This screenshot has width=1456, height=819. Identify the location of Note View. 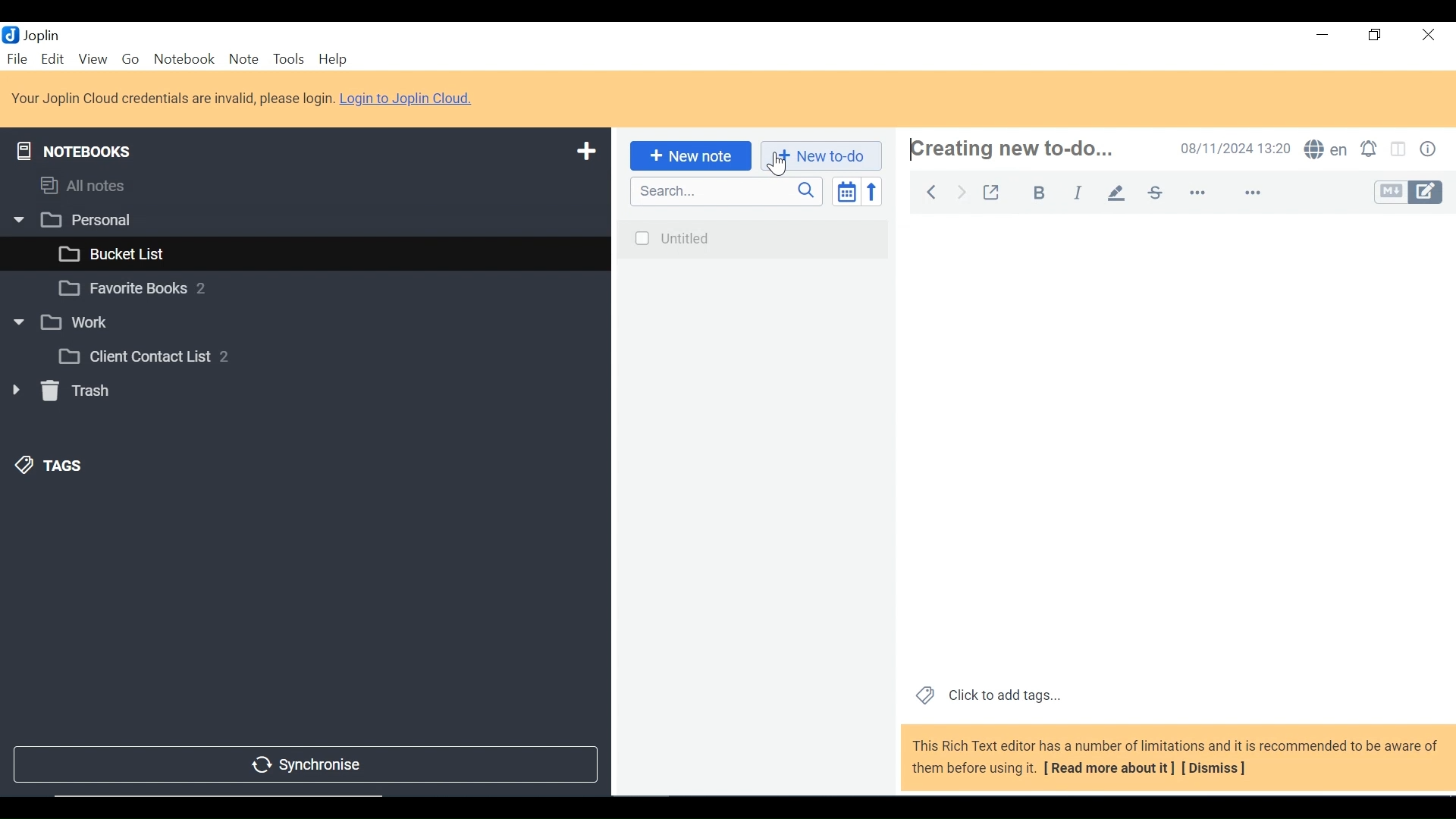
(1176, 444).